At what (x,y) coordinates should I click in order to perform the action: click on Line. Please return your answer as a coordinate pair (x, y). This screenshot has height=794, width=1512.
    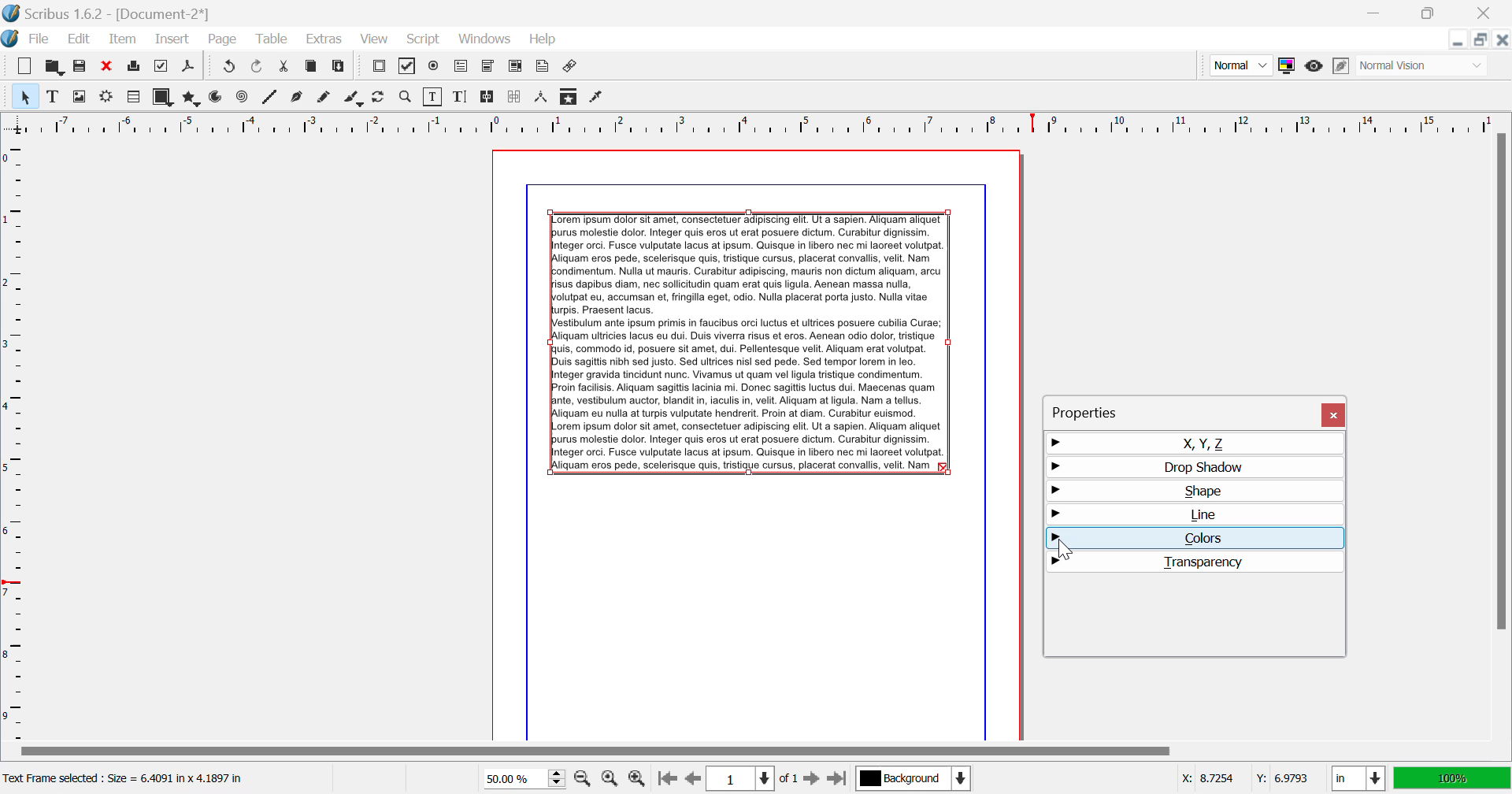
    Looking at the image, I should click on (1195, 518).